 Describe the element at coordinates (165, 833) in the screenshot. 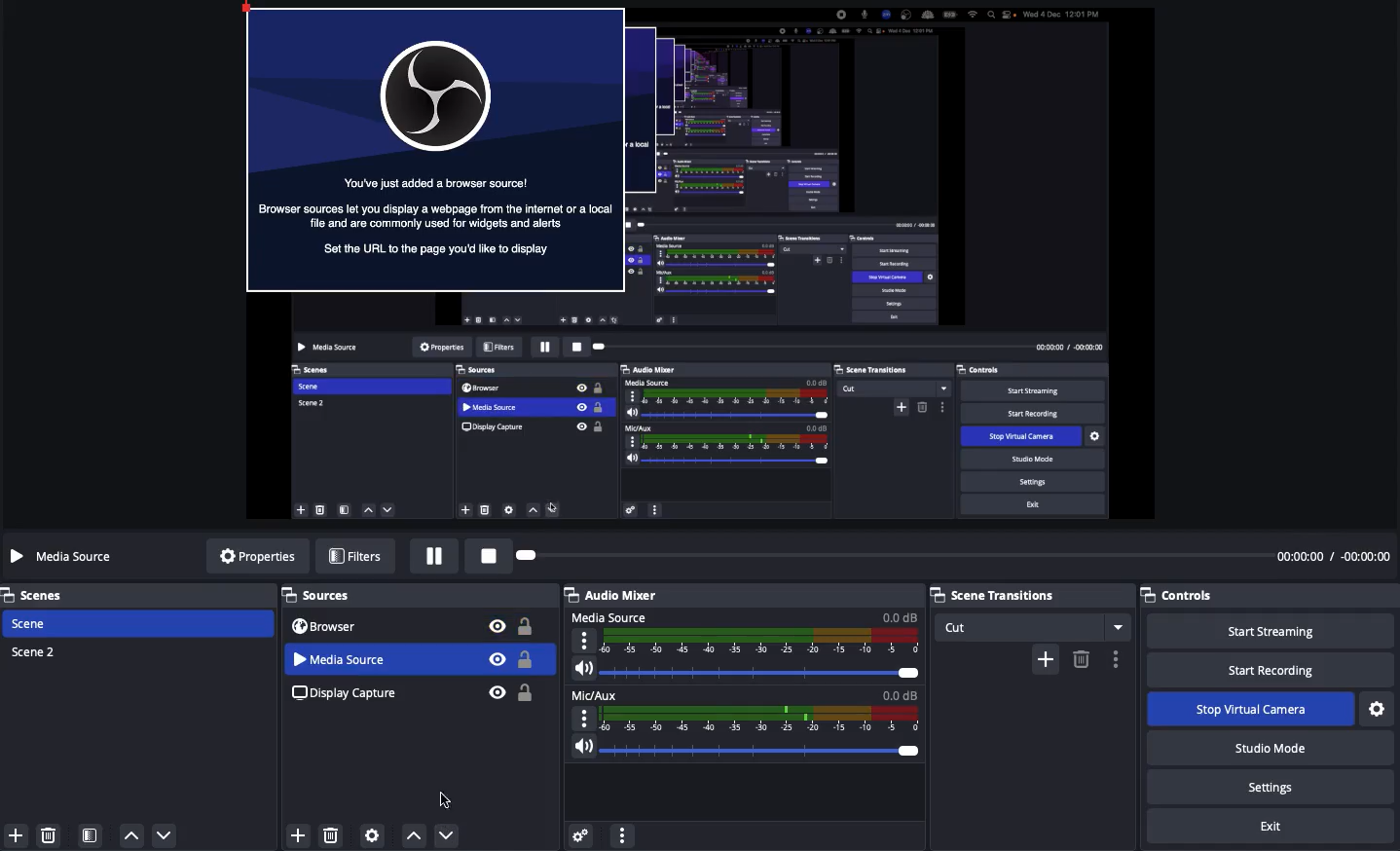

I see ` move down` at that location.